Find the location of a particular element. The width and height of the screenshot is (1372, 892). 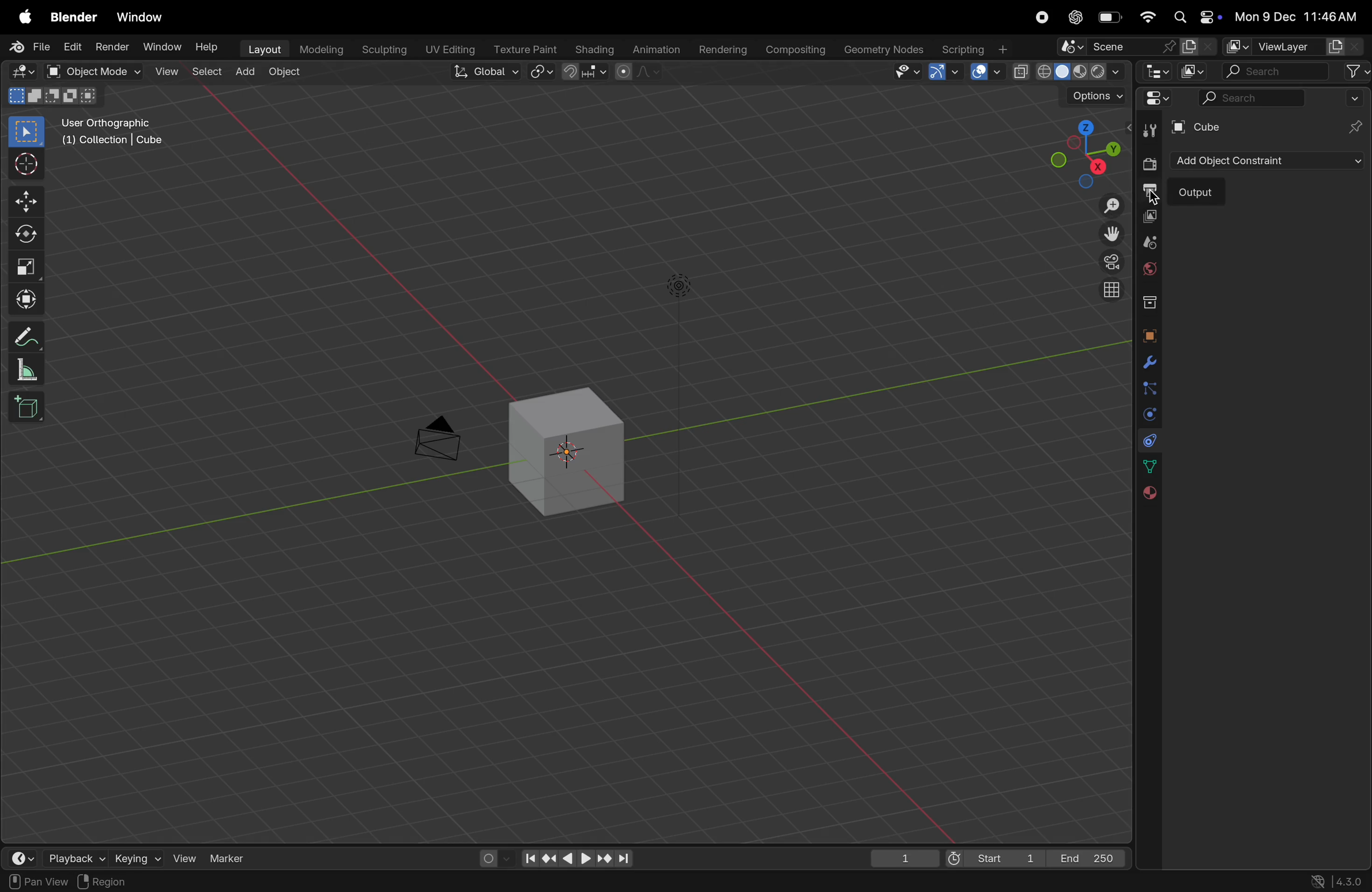

cube is located at coordinates (1204, 129).